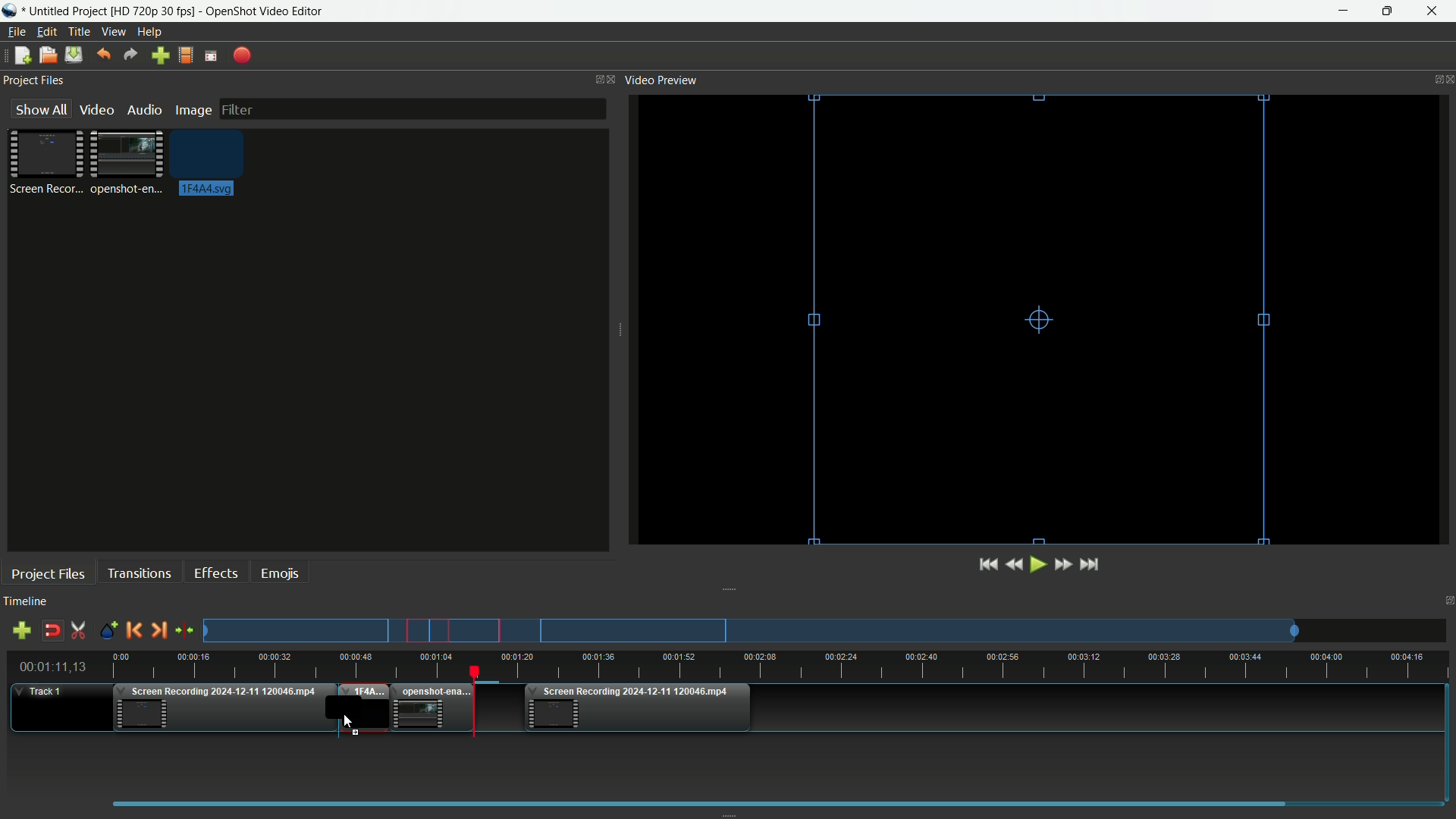 This screenshot has height=819, width=1456. Describe the element at coordinates (280, 572) in the screenshot. I see `Emojis` at that location.